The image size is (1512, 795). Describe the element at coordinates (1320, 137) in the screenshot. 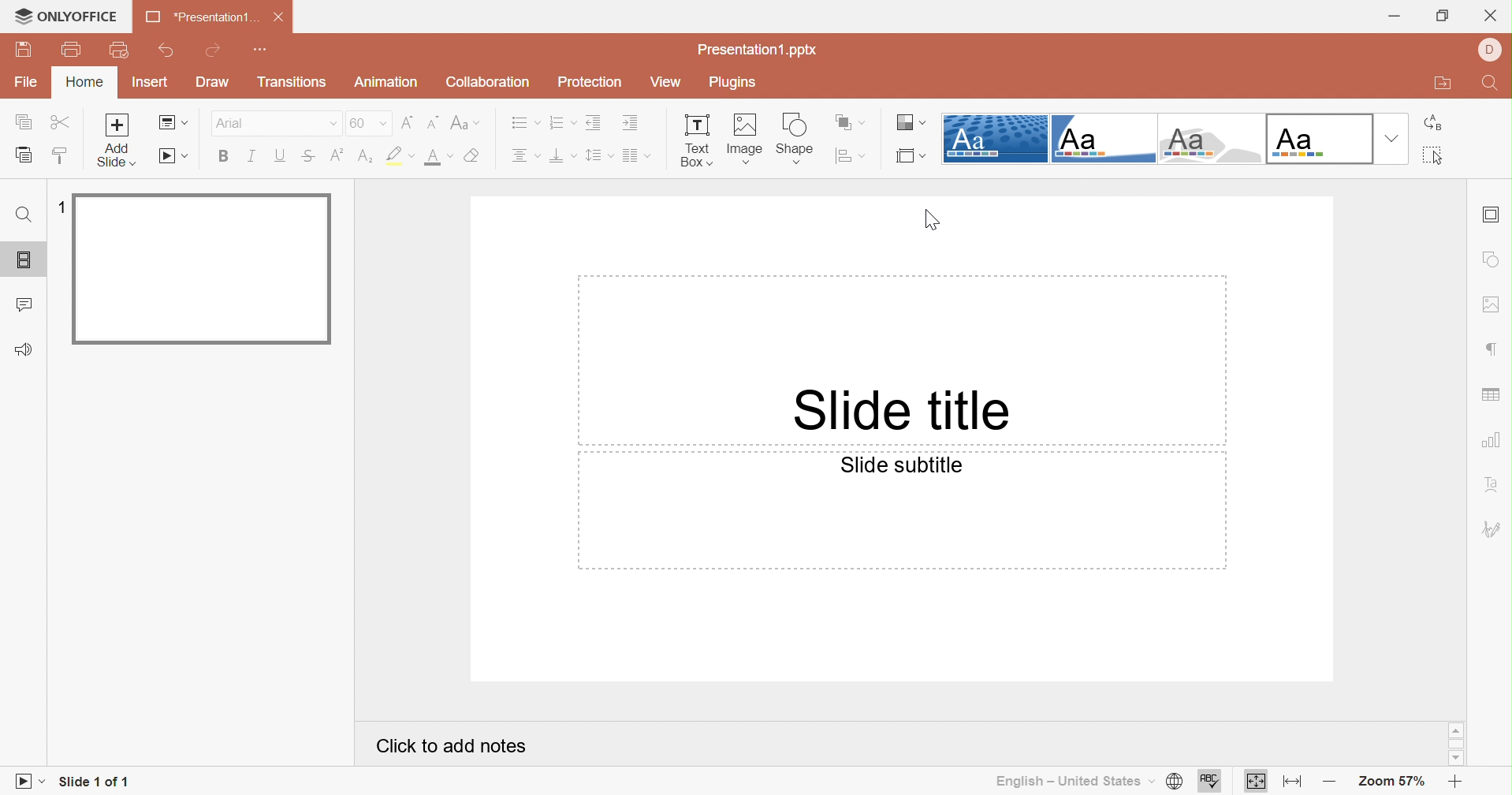

I see `Office theme` at that location.